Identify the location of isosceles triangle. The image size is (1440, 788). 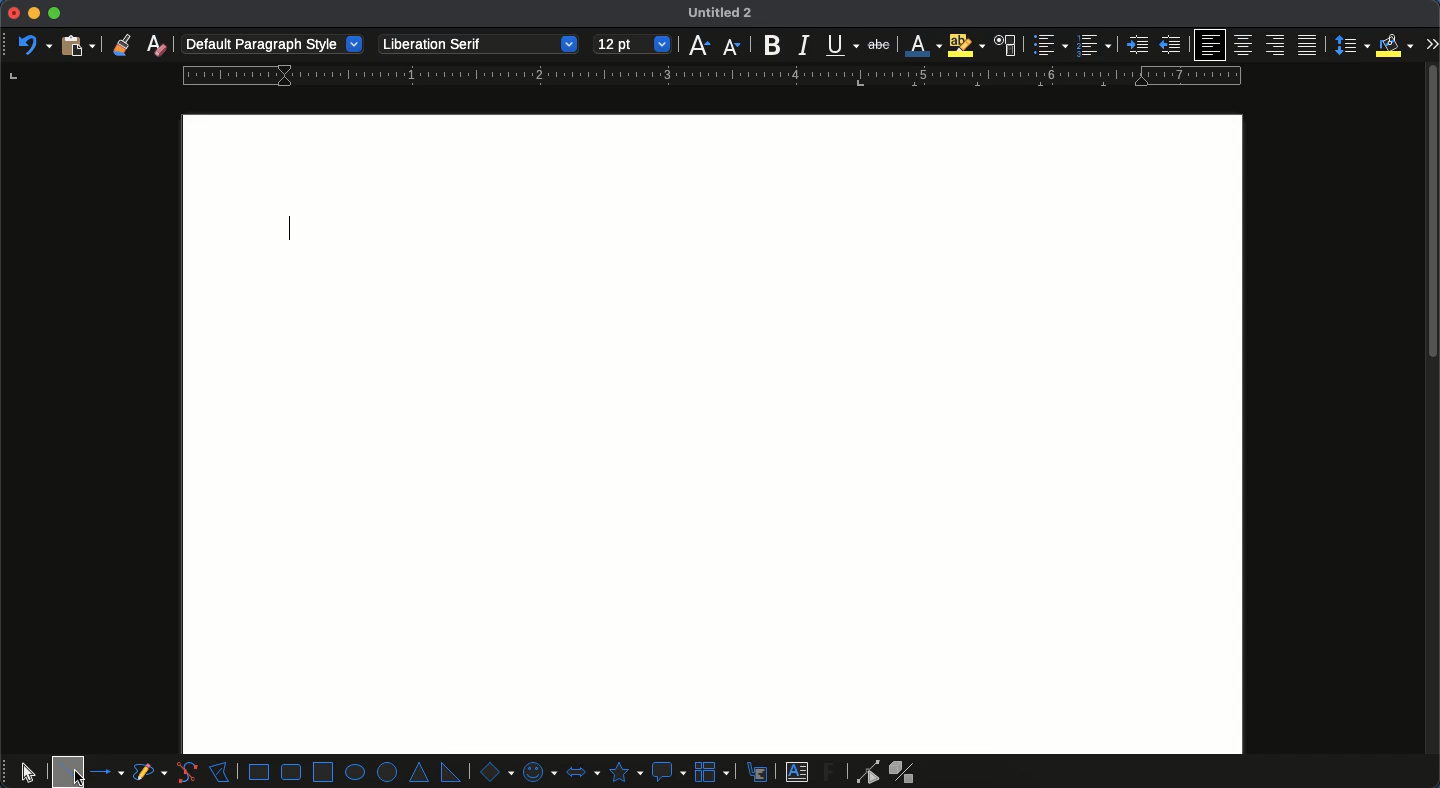
(421, 773).